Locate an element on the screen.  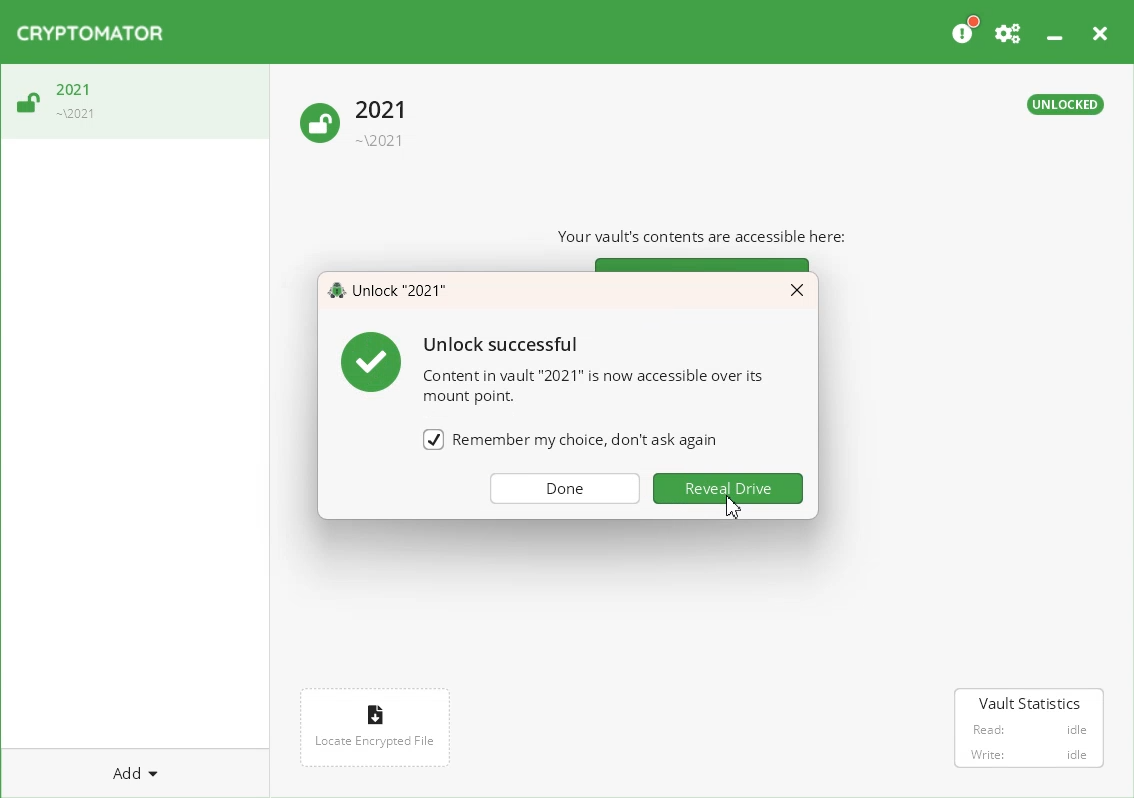
Unlock Vault is located at coordinates (135, 103).